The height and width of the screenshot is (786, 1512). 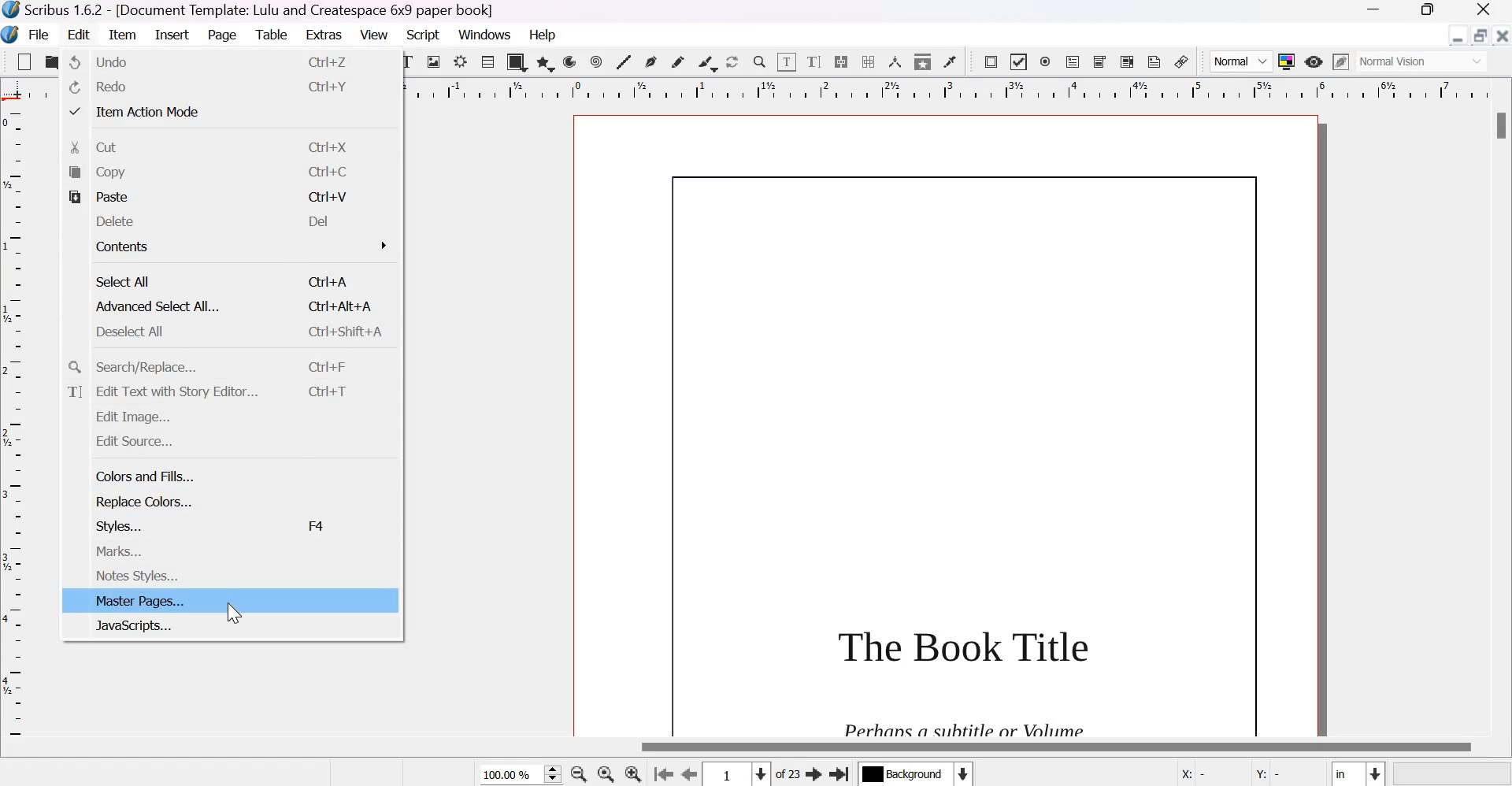 What do you see at coordinates (572, 61) in the screenshot?
I see `arc` at bounding box center [572, 61].